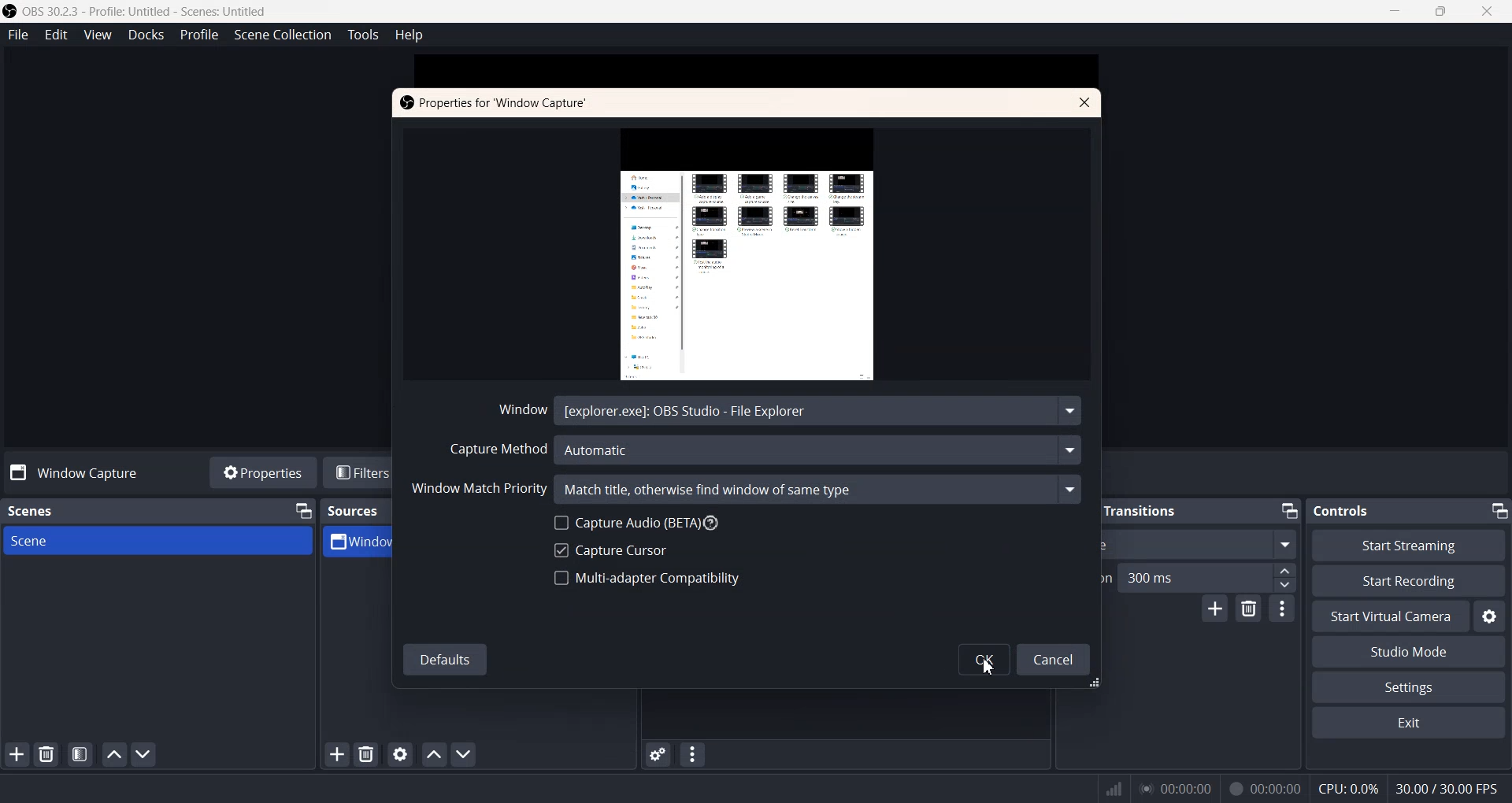 The image size is (1512, 803). What do you see at coordinates (364, 35) in the screenshot?
I see `Tools` at bounding box center [364, 35].